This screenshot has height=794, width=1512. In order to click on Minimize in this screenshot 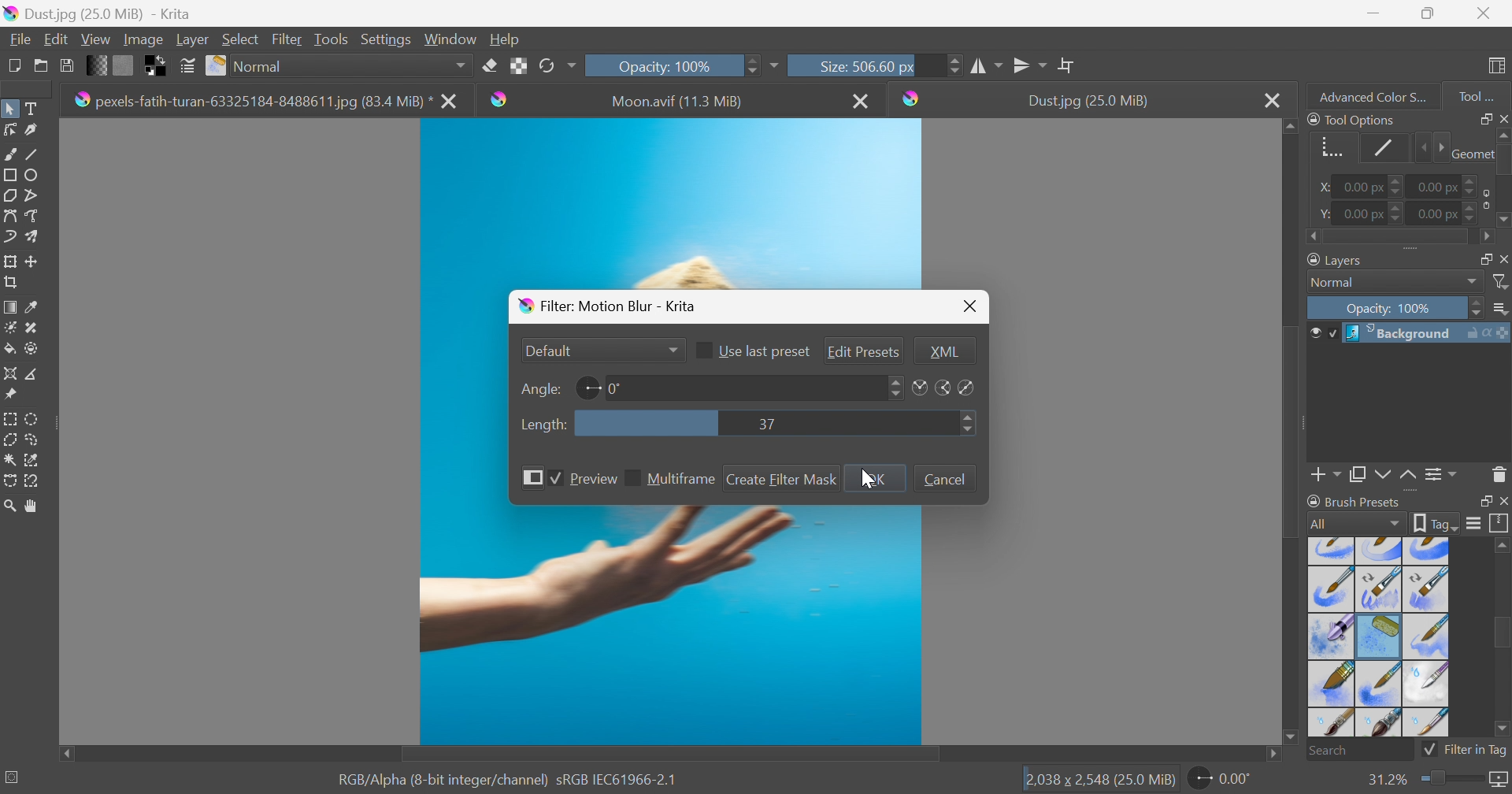, I will do `click(1373, 12)`.